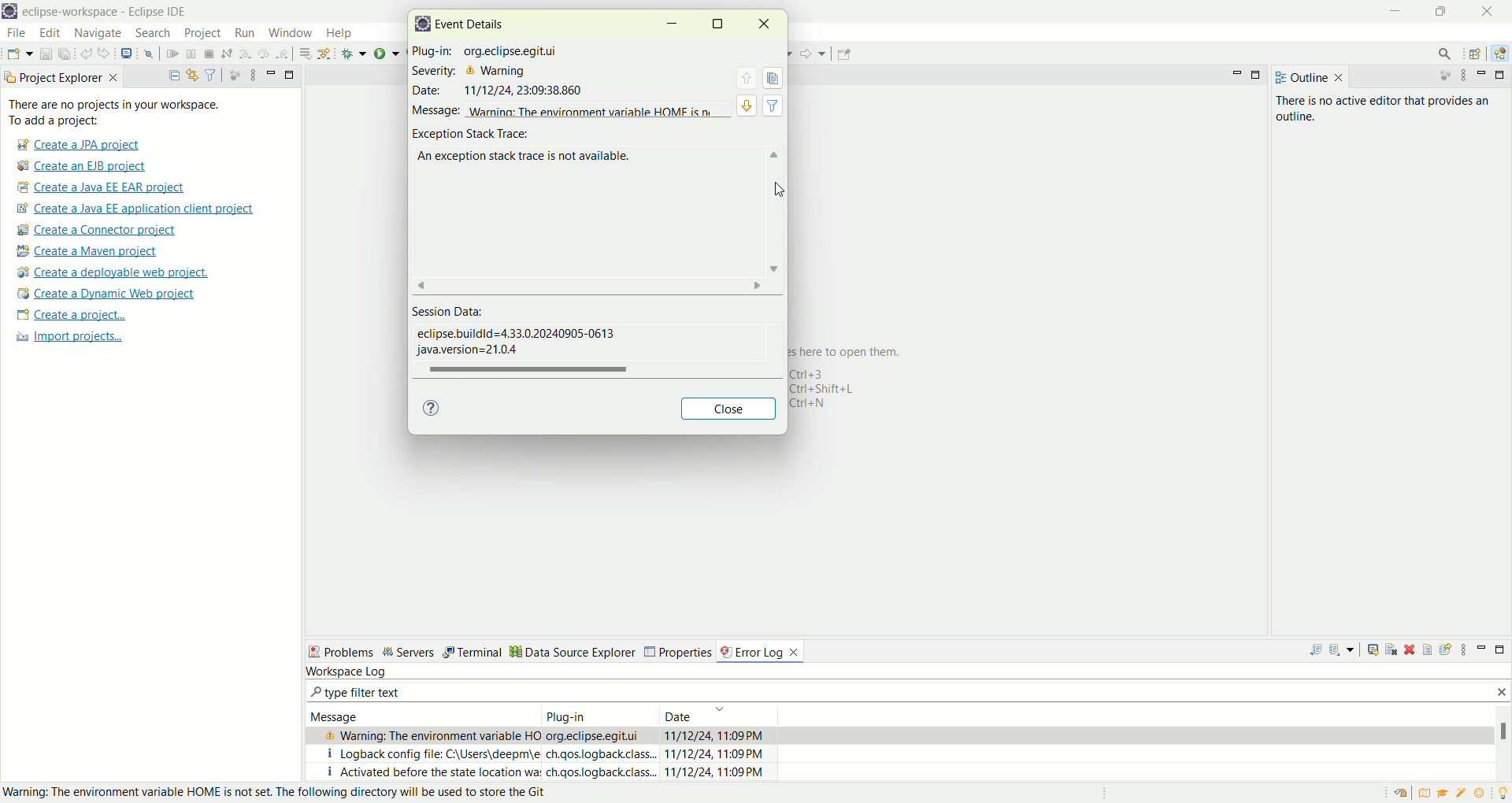  I want to click on file, so click(14, 32).